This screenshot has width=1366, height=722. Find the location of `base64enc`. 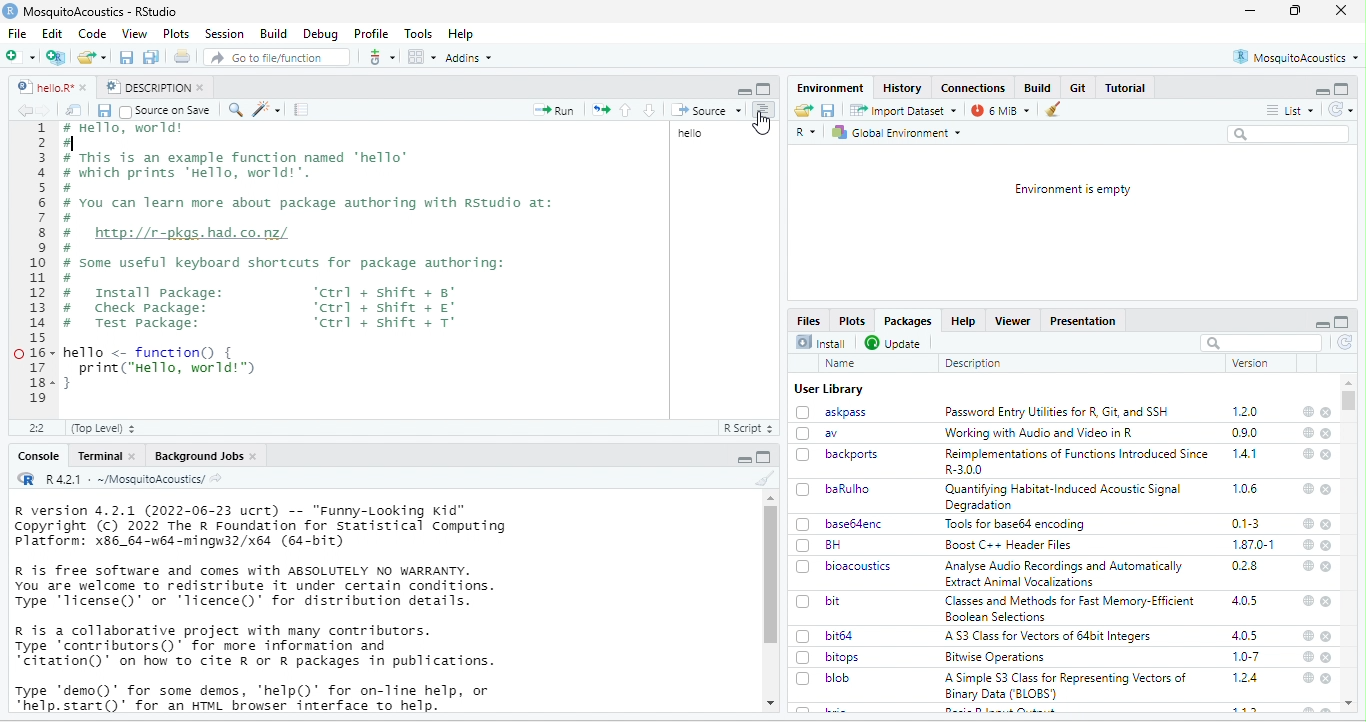

base64enc is located at coordinates (840, 524).